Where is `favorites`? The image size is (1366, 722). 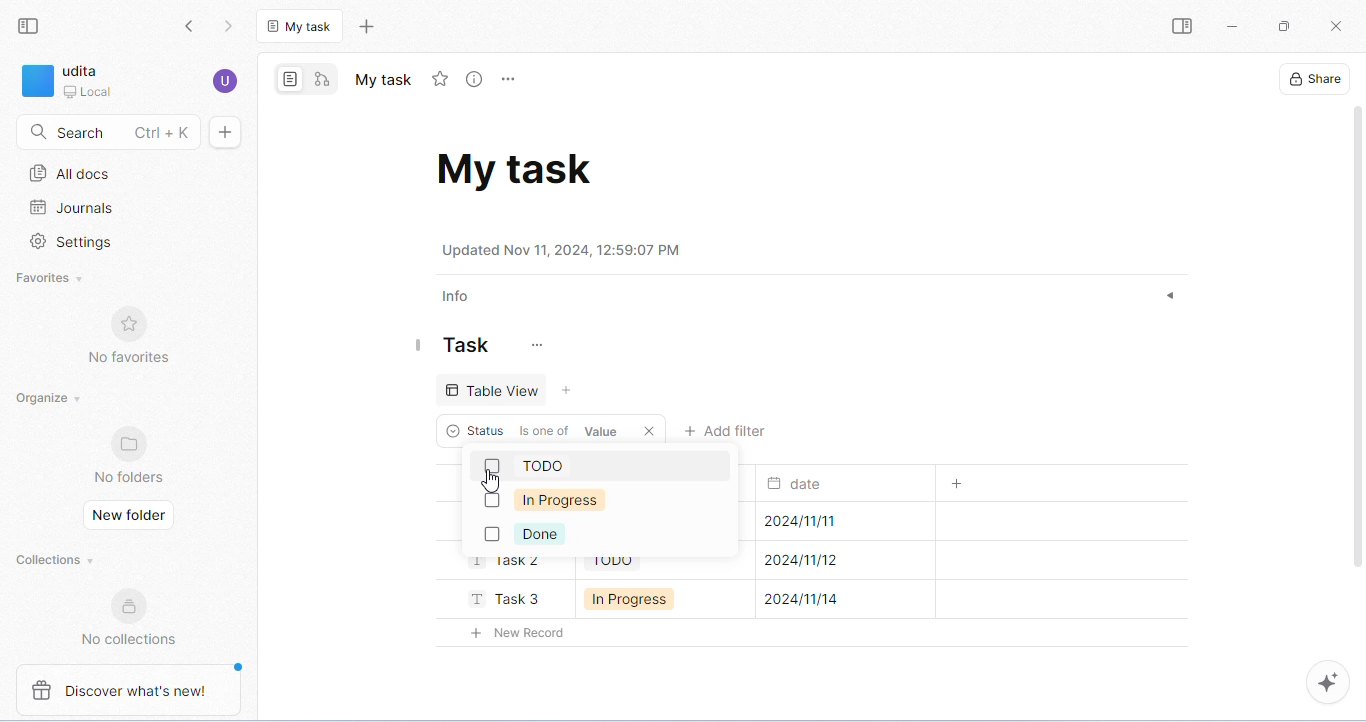 favorites is located at coordinates (52, 280).